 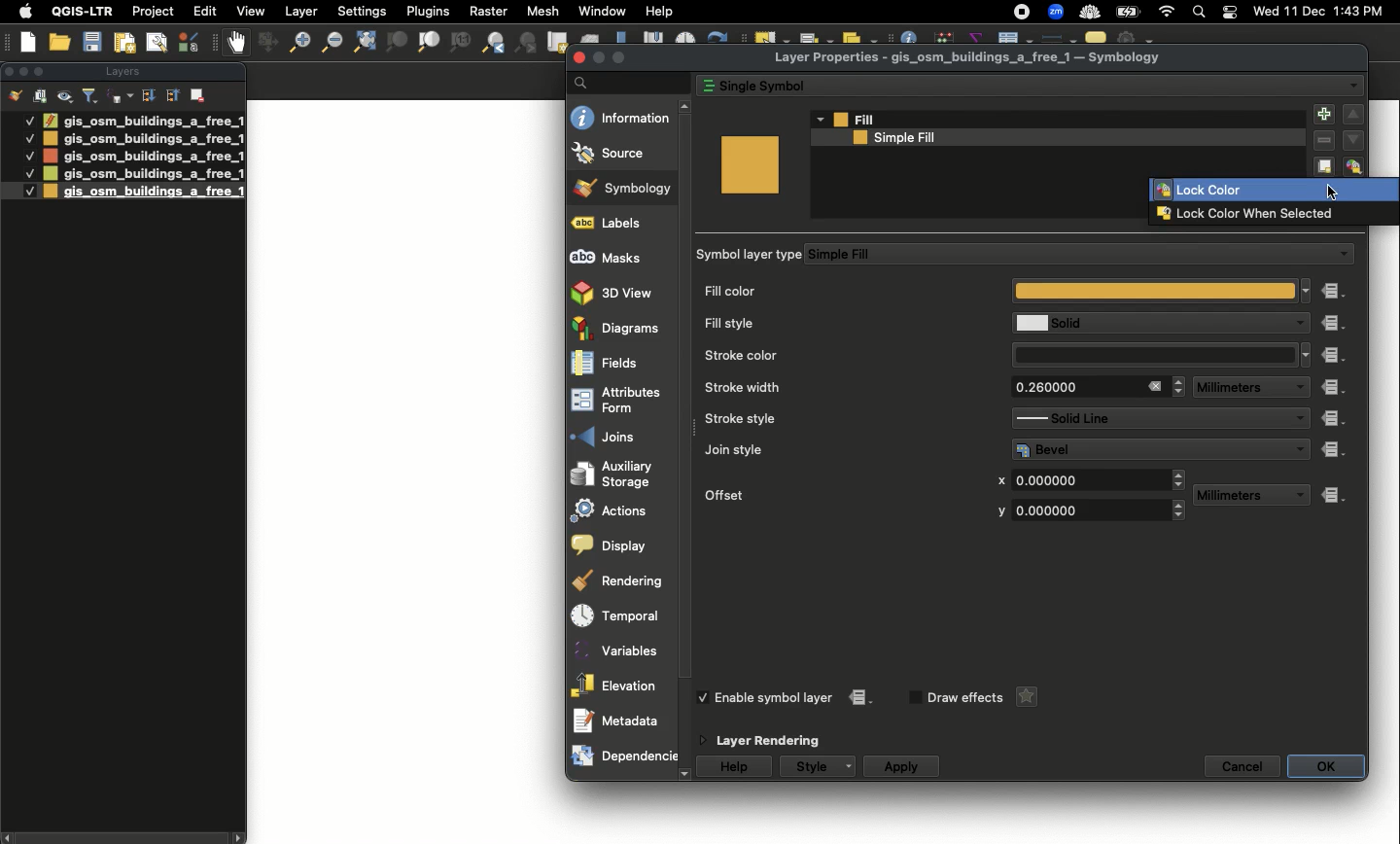 I want to click on battery, so click(x=1132, y=11).